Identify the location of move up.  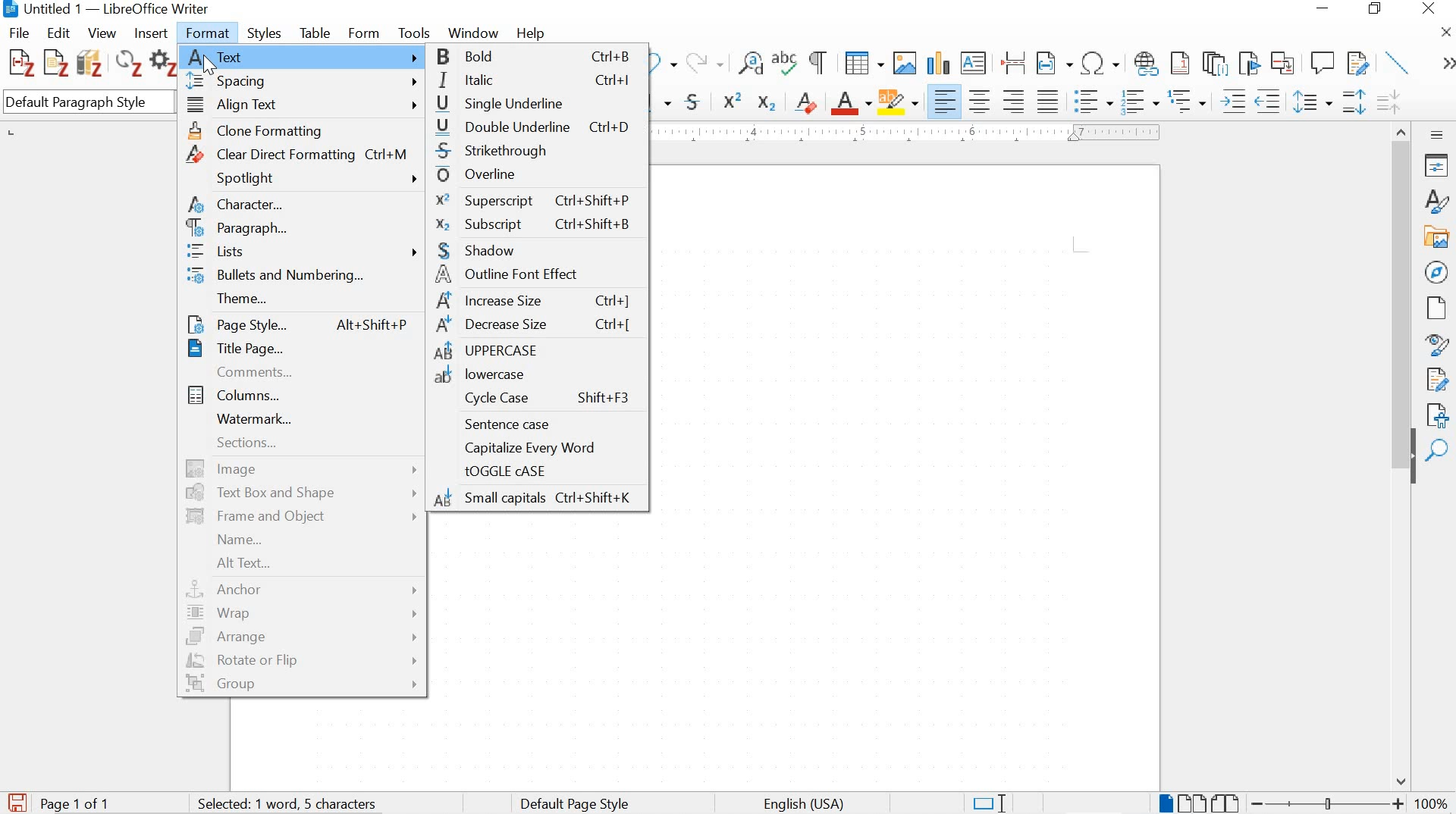
(1403, 129).